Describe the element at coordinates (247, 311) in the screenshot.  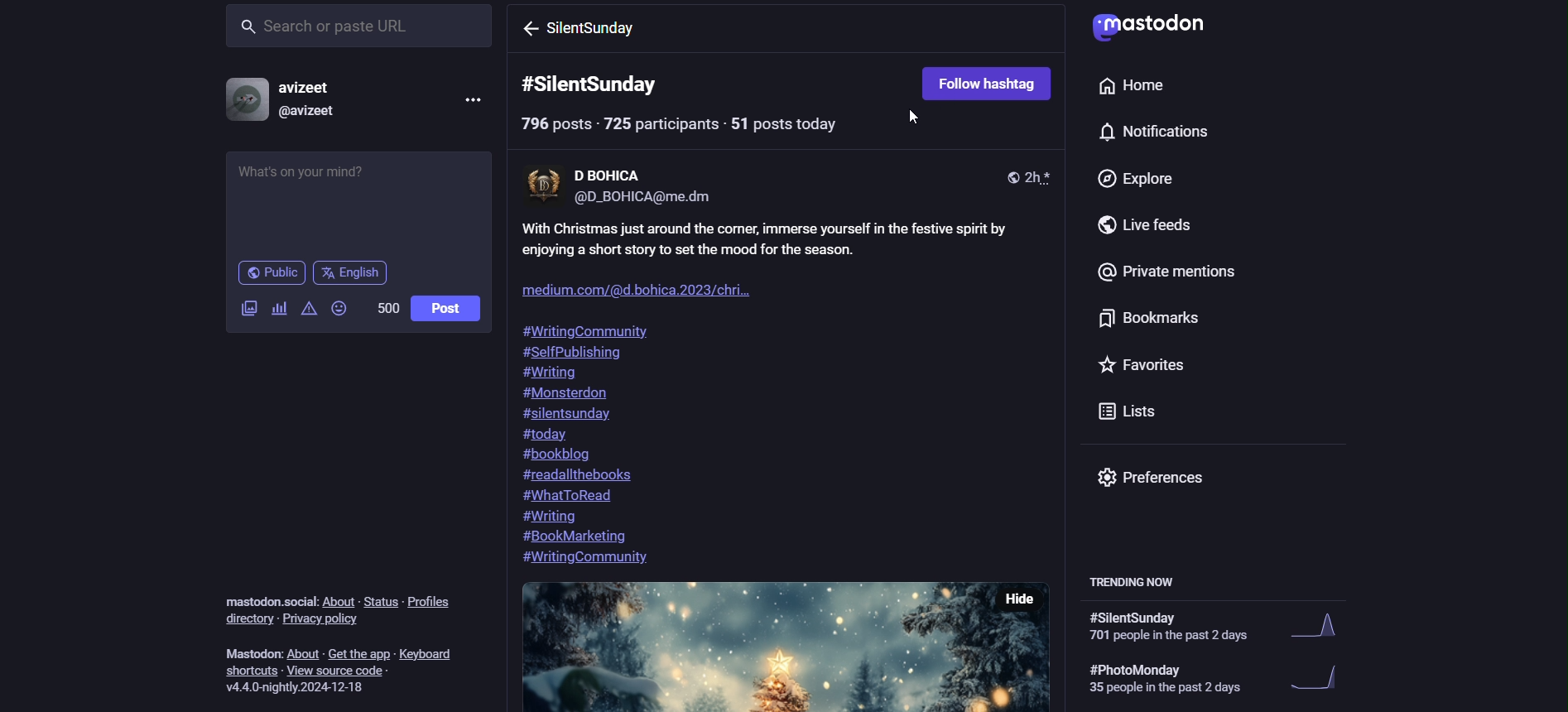
I see `add image` at that location.